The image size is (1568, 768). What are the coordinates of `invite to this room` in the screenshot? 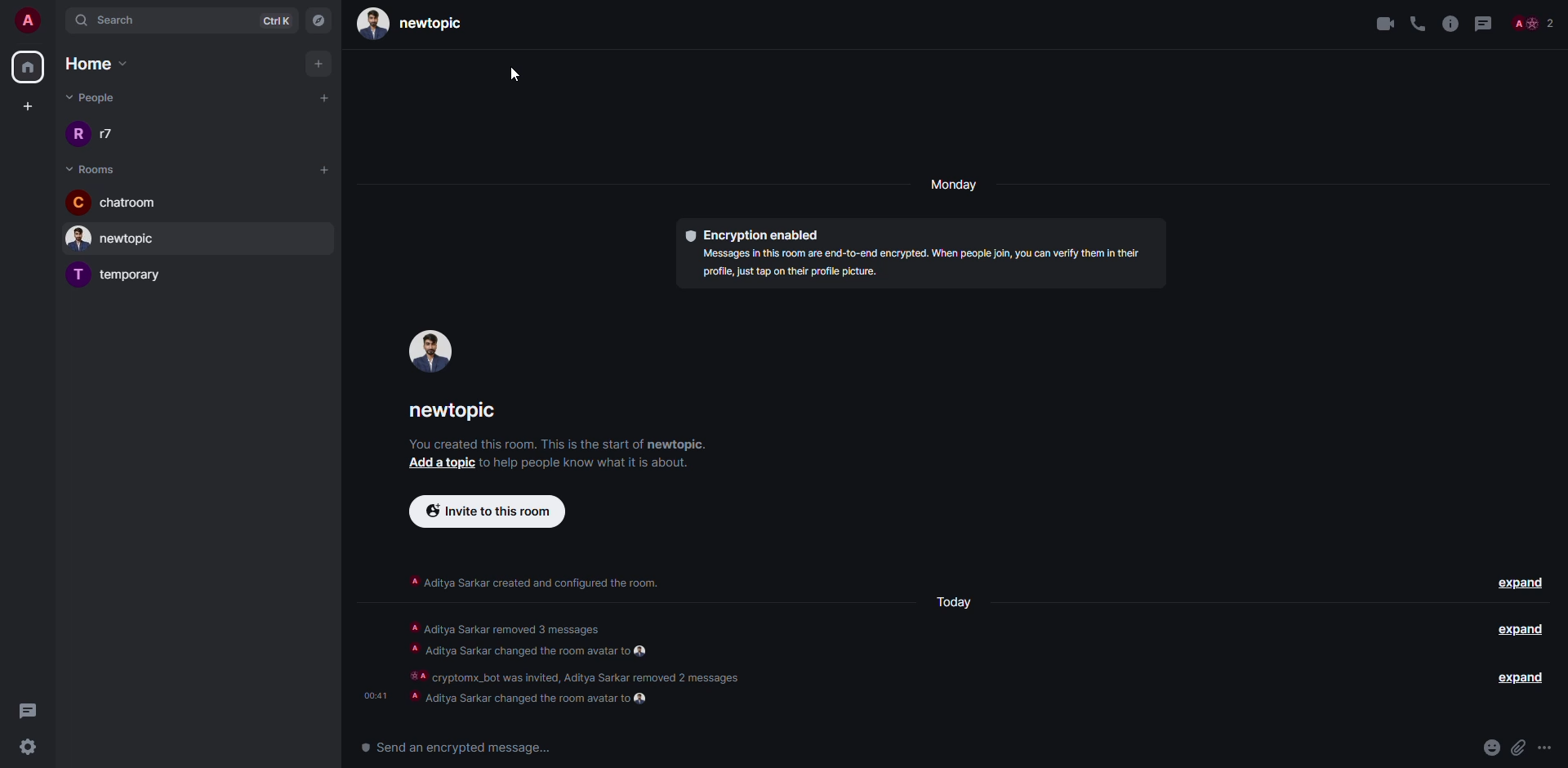 It's located at (488, 512).